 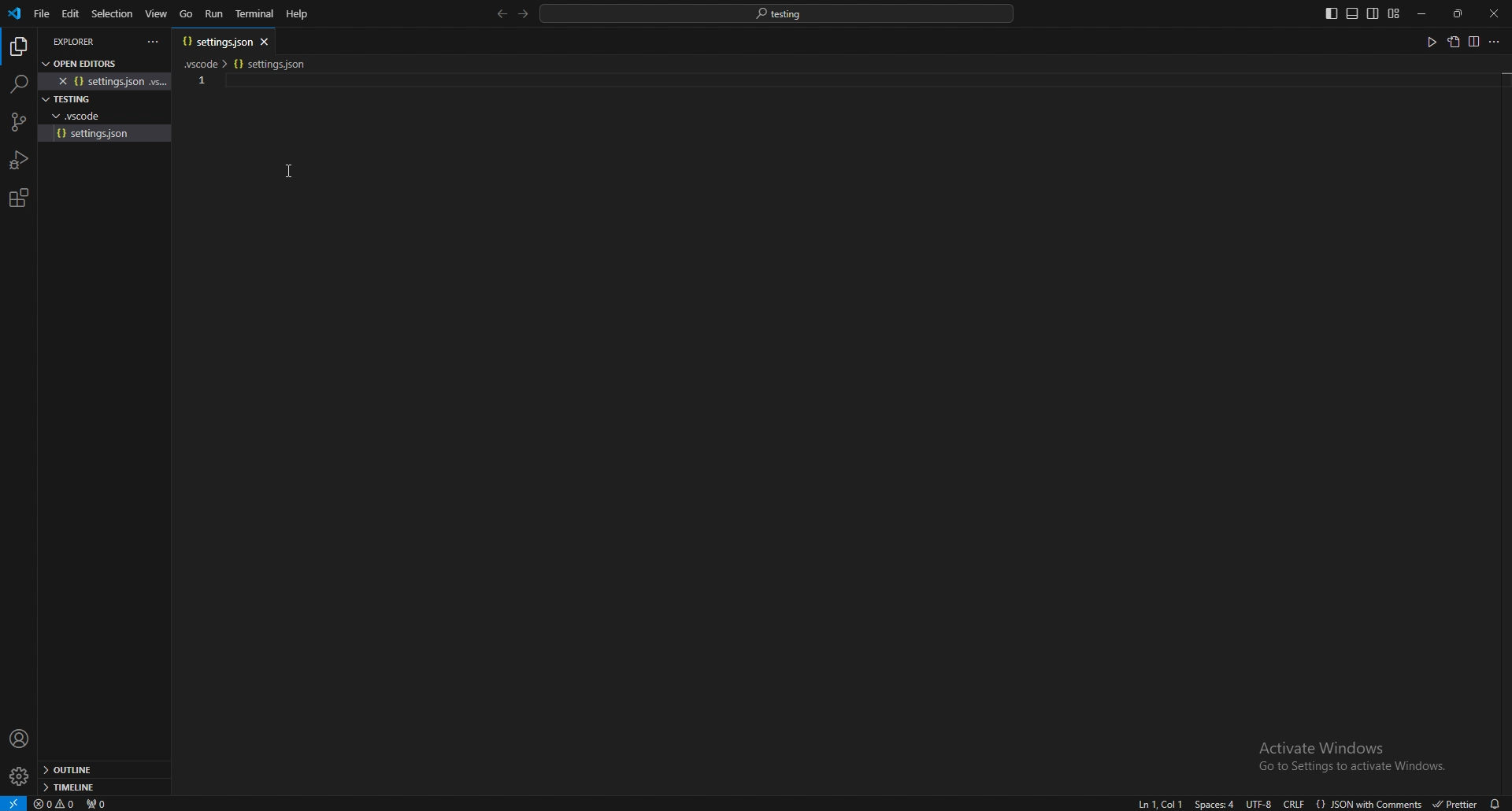 What do you see at coordinates (187, 14) in the screenshot?
I see `go` at bounding box center [187, 14].